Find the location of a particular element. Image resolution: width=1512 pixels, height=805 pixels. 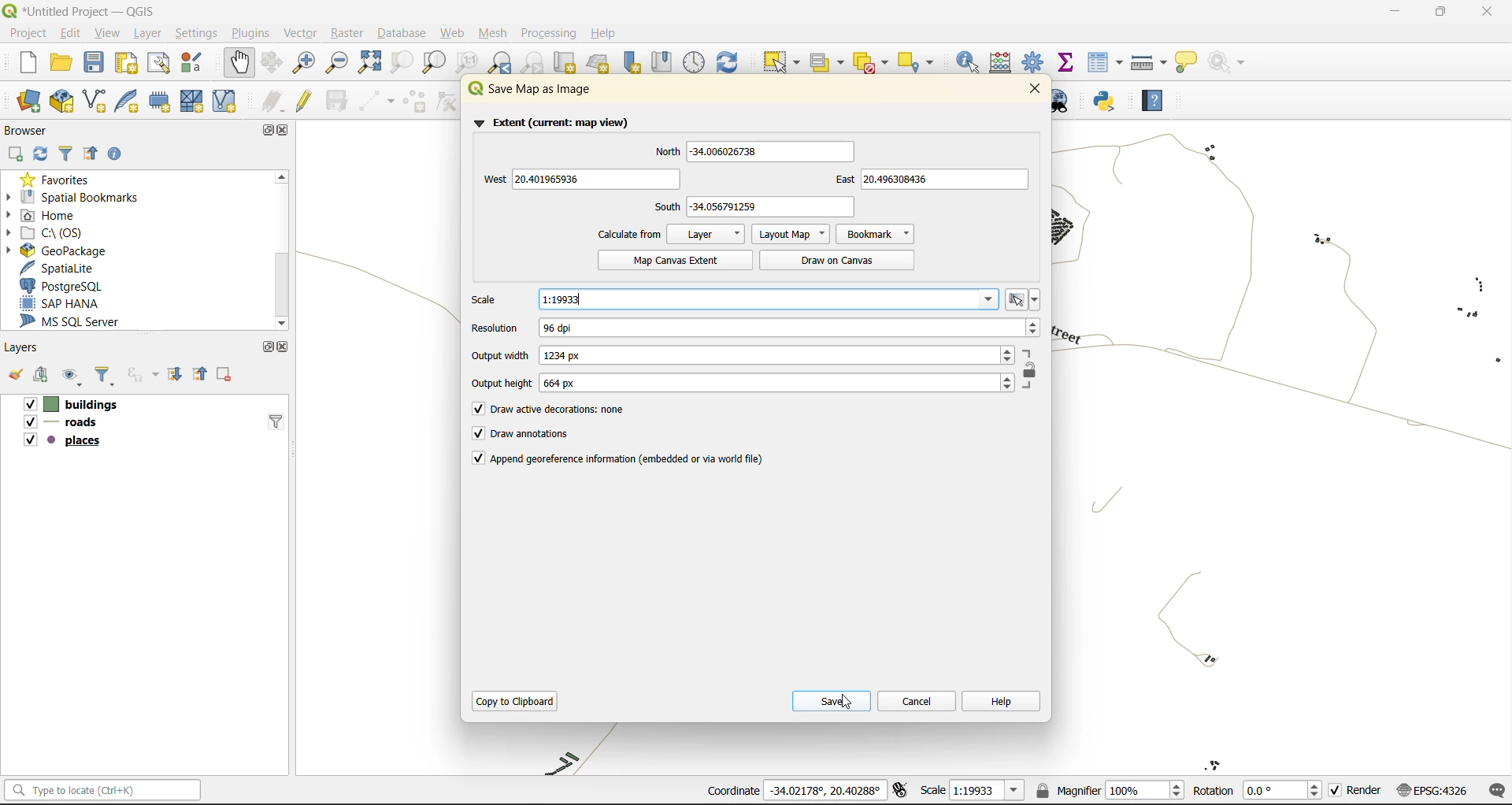

vertex tools is located at coordinates (448, 102).